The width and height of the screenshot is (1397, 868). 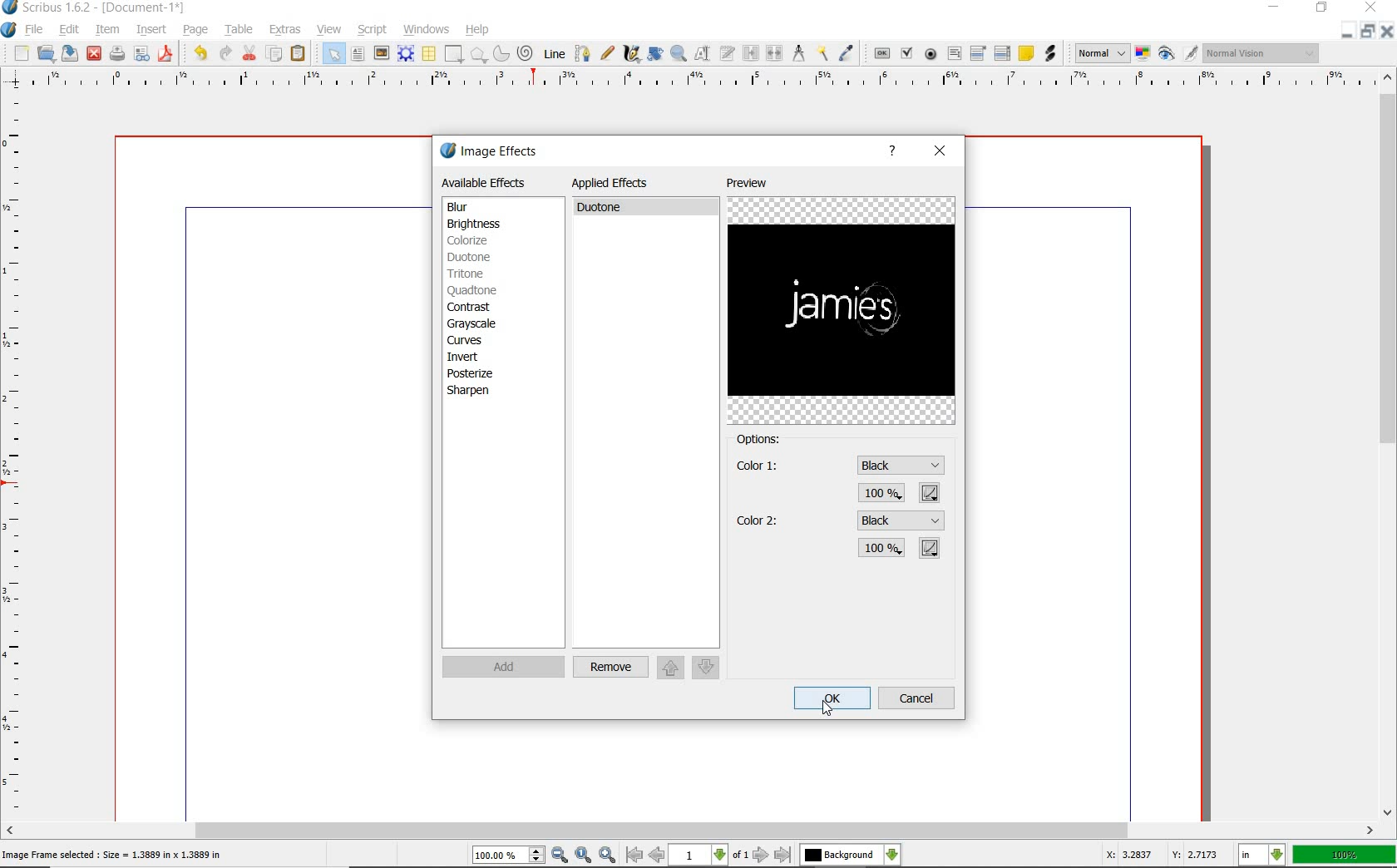 I want to click on colorize, so click(x=482, y=240).